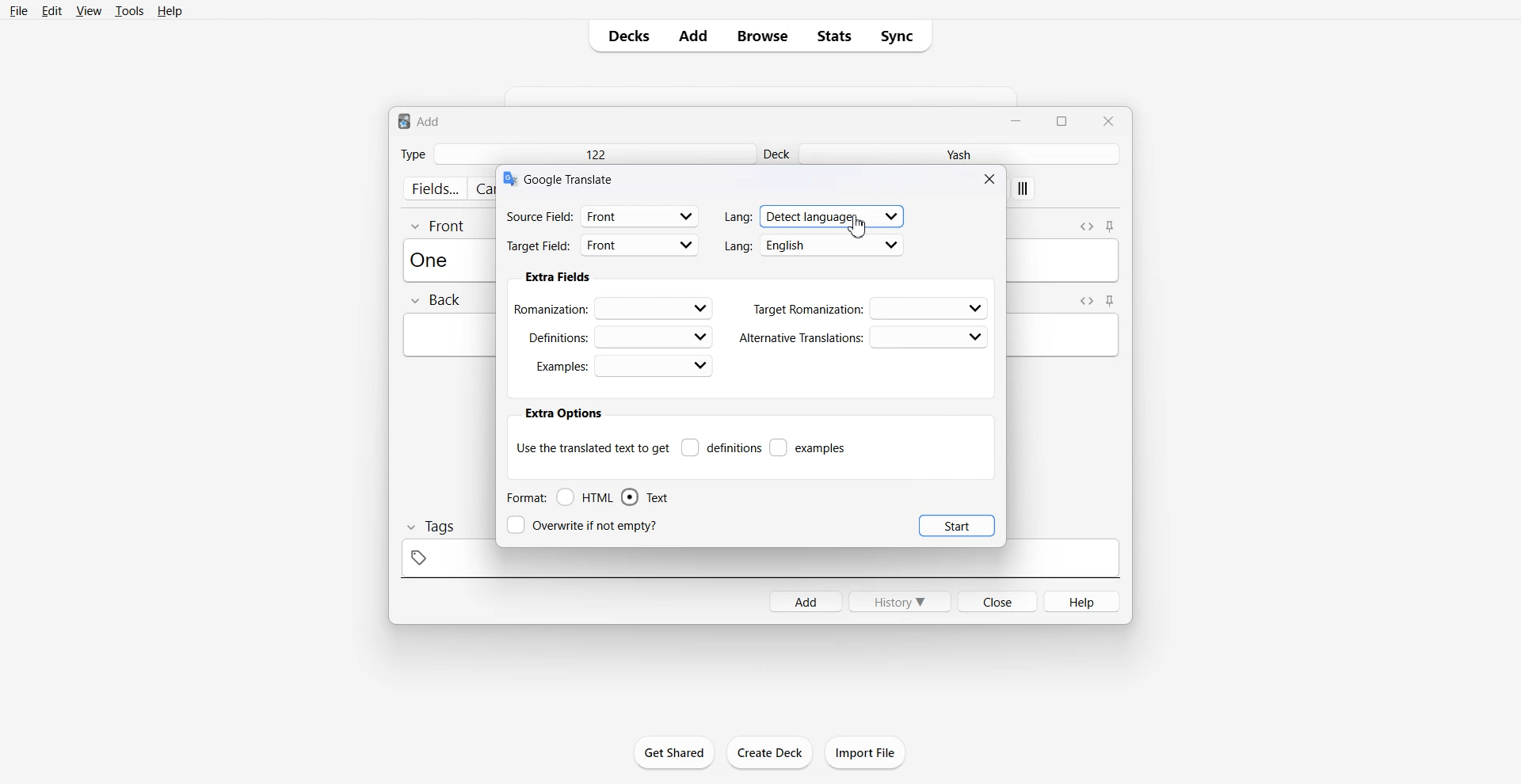 The image size is (1521, 784). Describe the element at coordinates (1065, 120) in the screenshot. I see `Maximize` at that location.